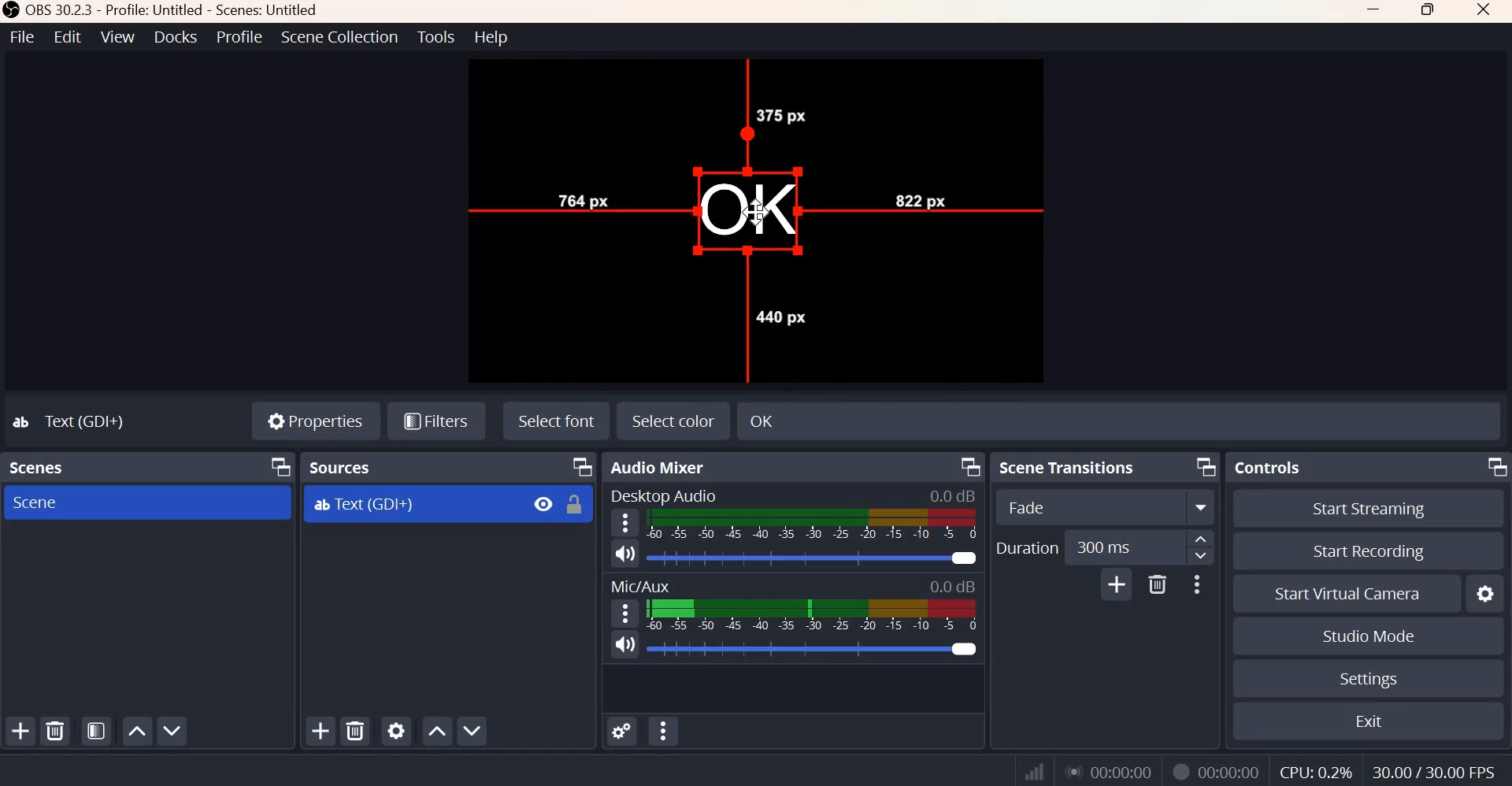  What do you see at coordinates (1069, 467) in the screenshot?
I see `Scene transitions` at bounding box center [1069, 467].